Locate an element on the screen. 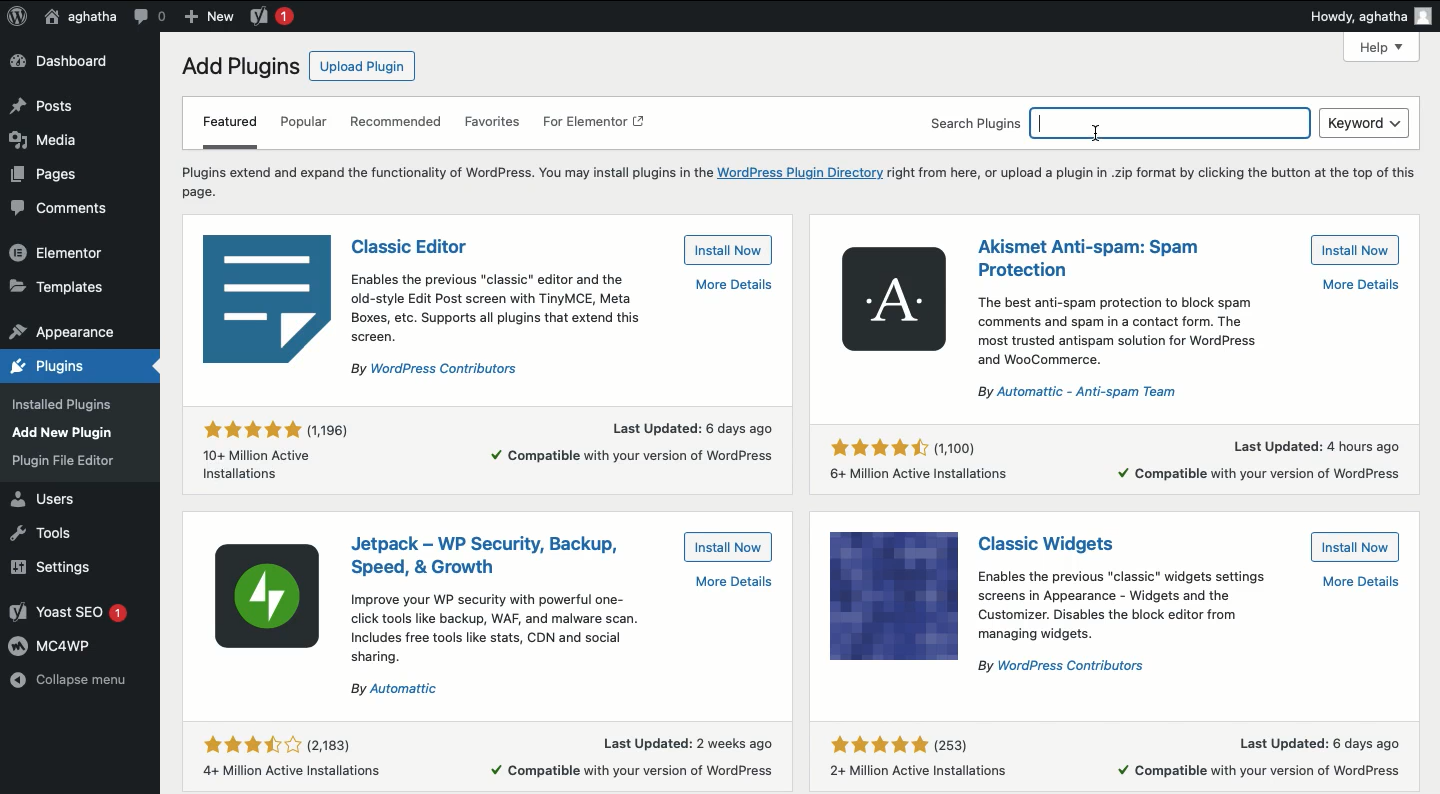 Image resolution: width=1440 pixels, height=794 pixels. Settings is located at coordinates (60, 568).